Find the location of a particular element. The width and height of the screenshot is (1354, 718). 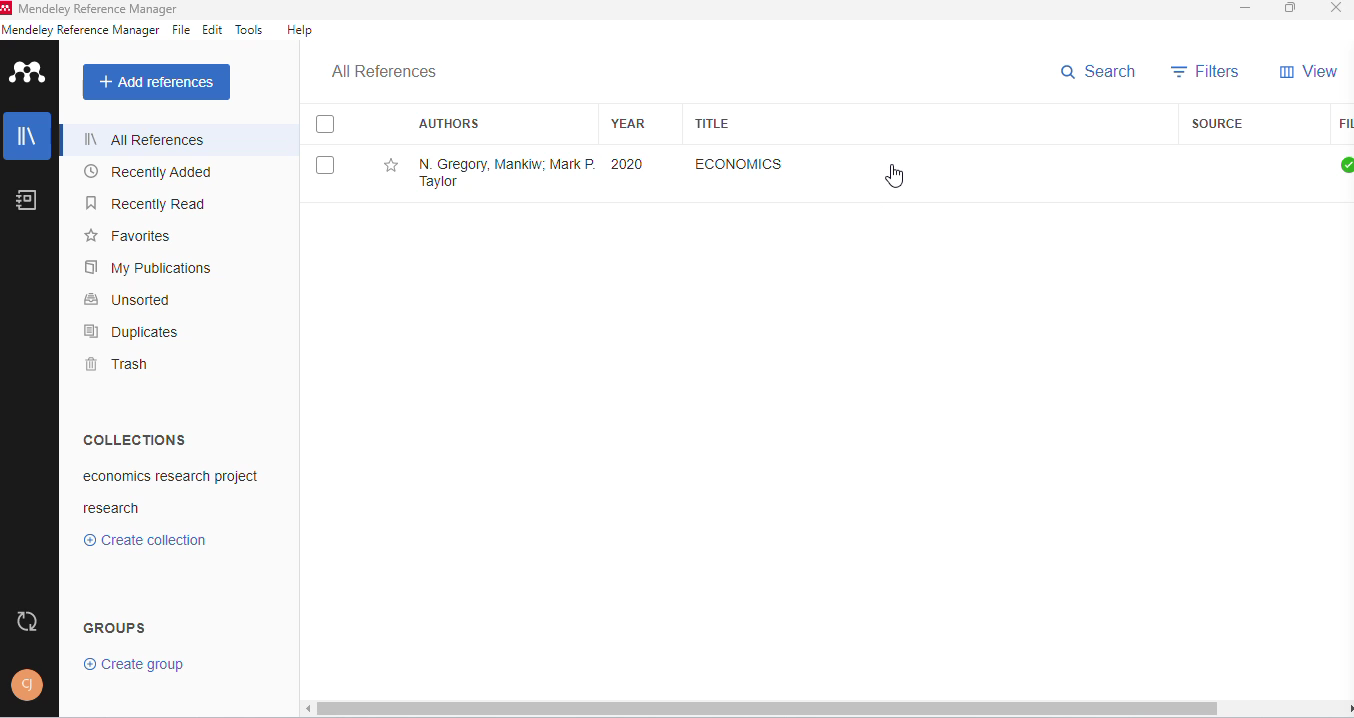

all references is located at coordinates (385, 70).